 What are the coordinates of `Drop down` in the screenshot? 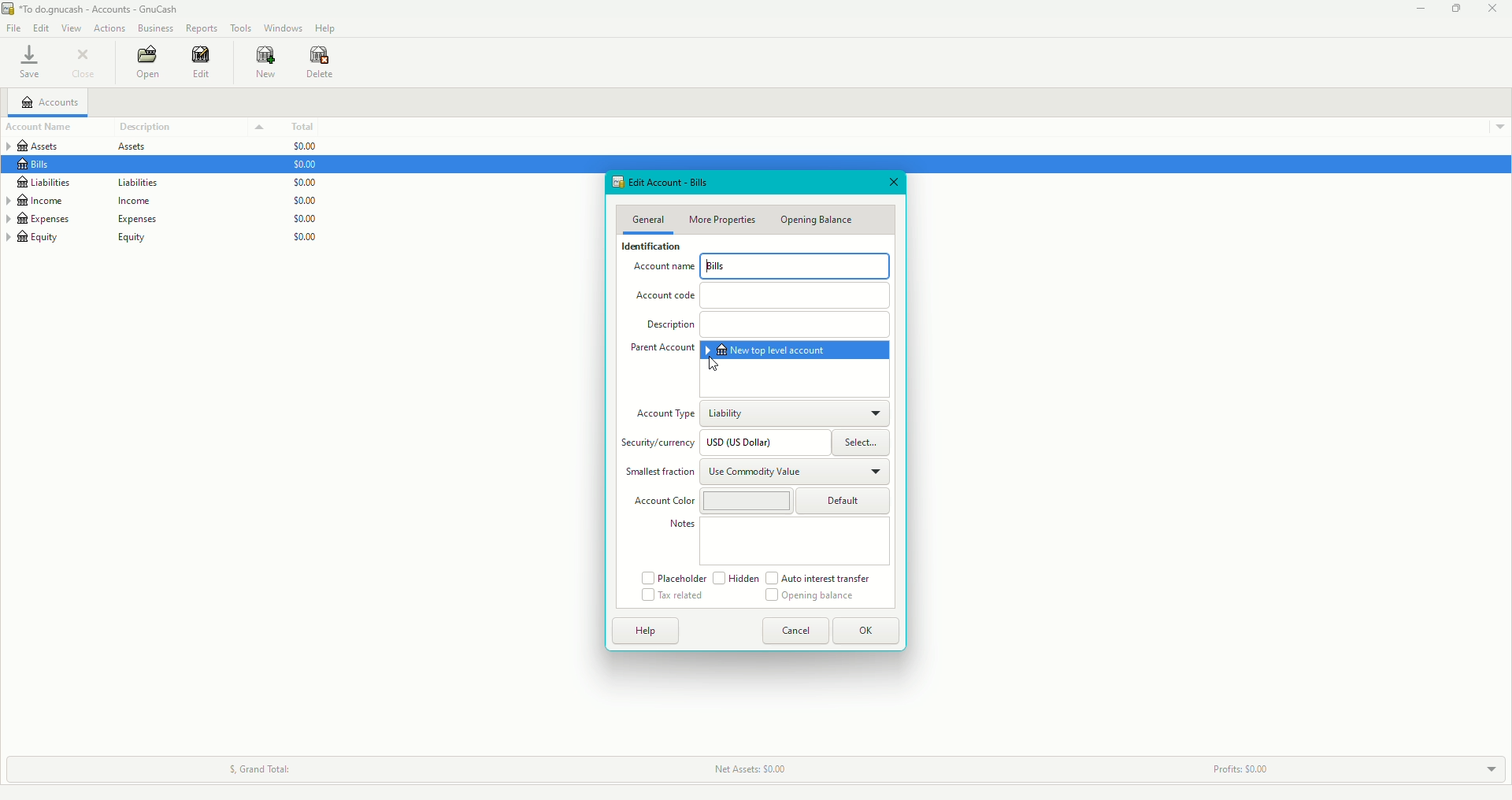 It's located at (1488, 768).